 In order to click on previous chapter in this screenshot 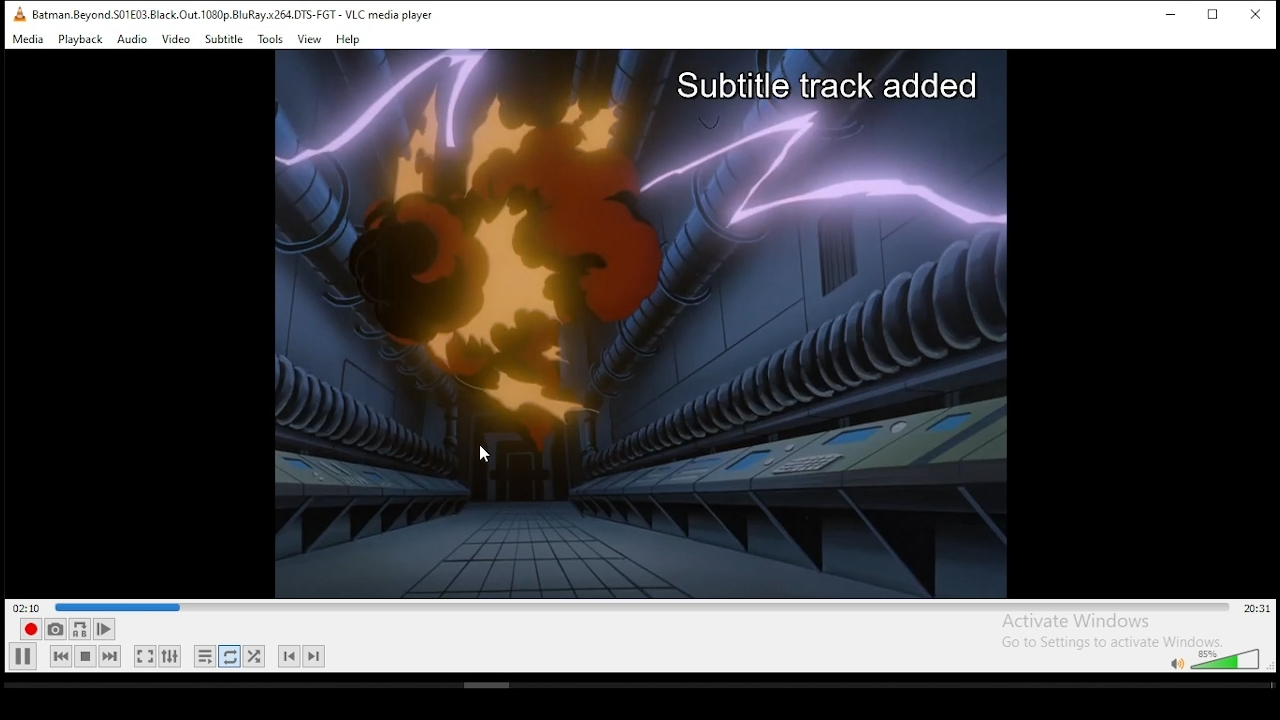, I will do `click(289, 656)`.